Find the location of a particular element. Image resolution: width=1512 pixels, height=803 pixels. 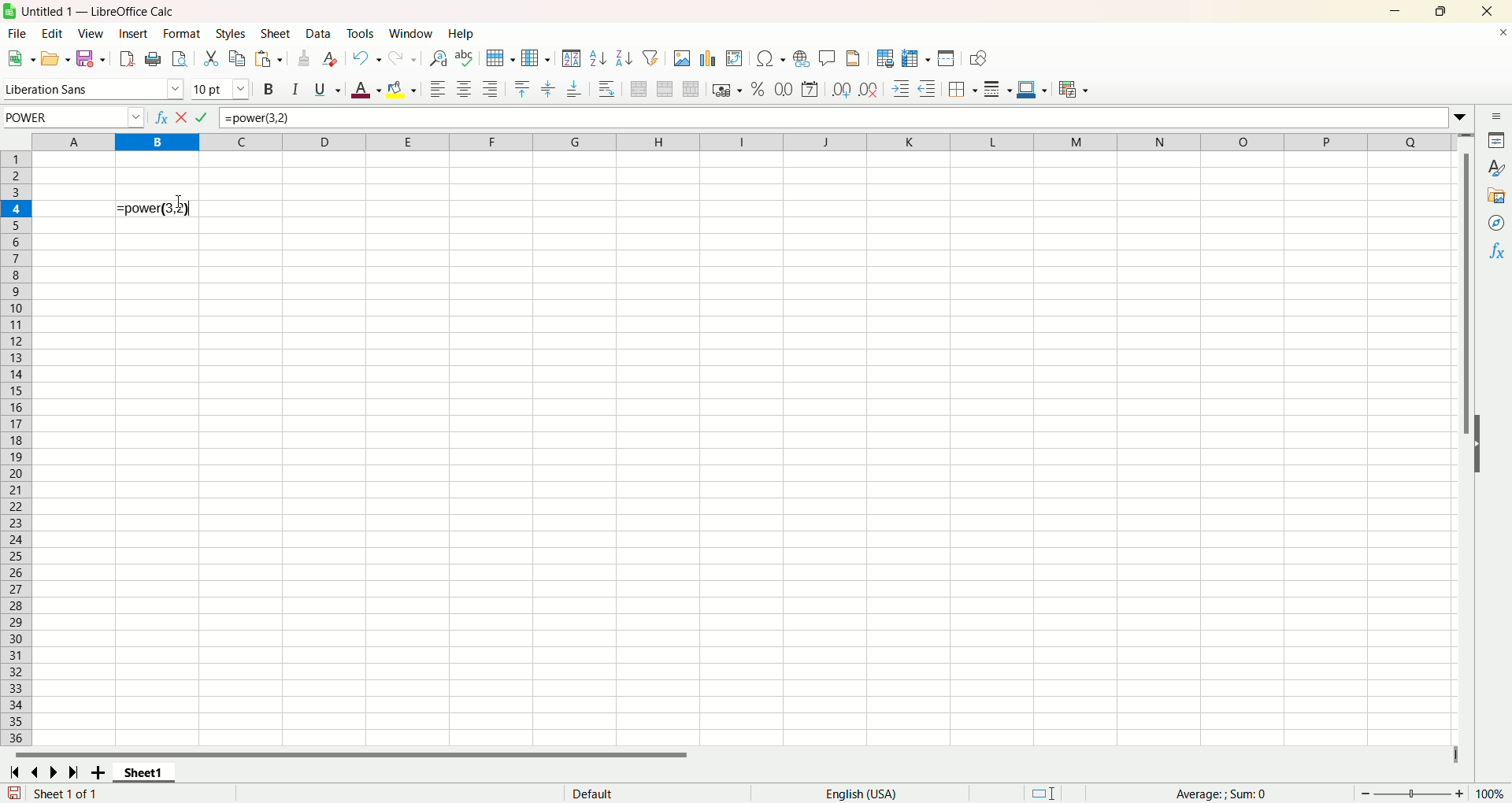

merge cells is located at coordinates (667, 89).